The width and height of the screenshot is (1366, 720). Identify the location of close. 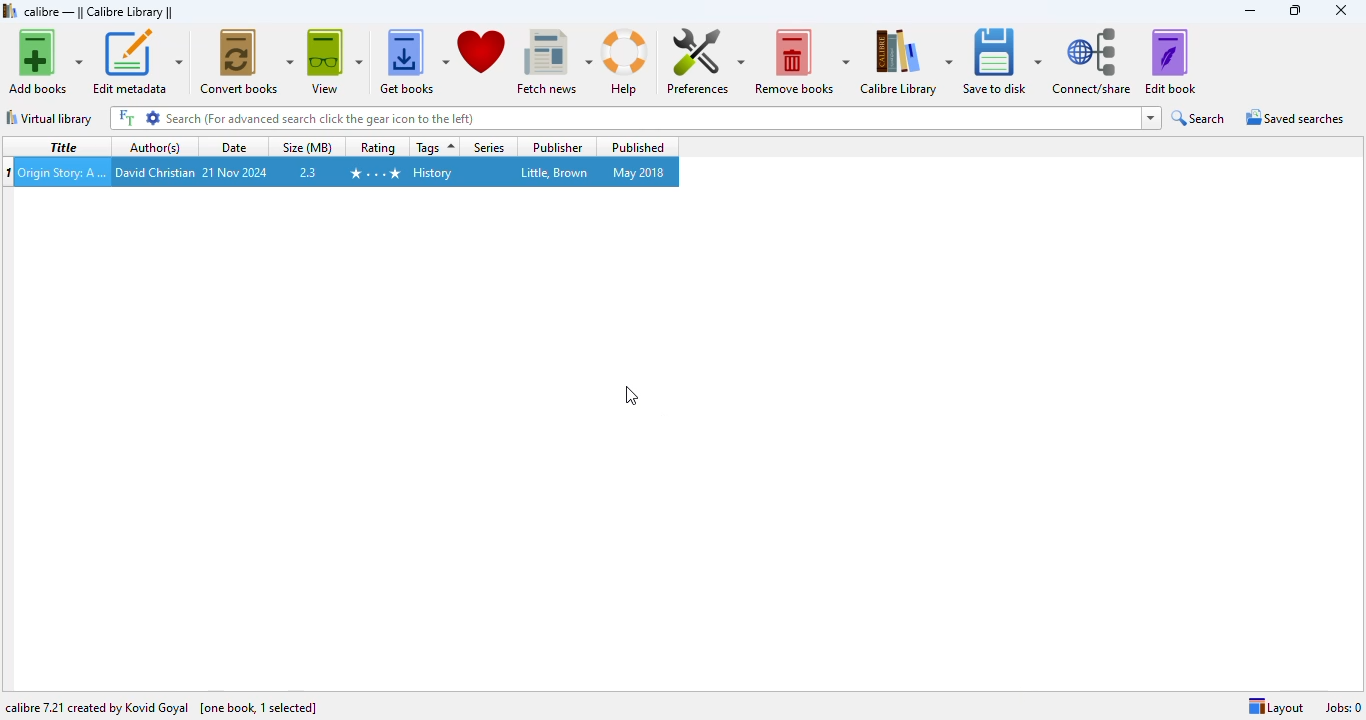
(1342, 10).